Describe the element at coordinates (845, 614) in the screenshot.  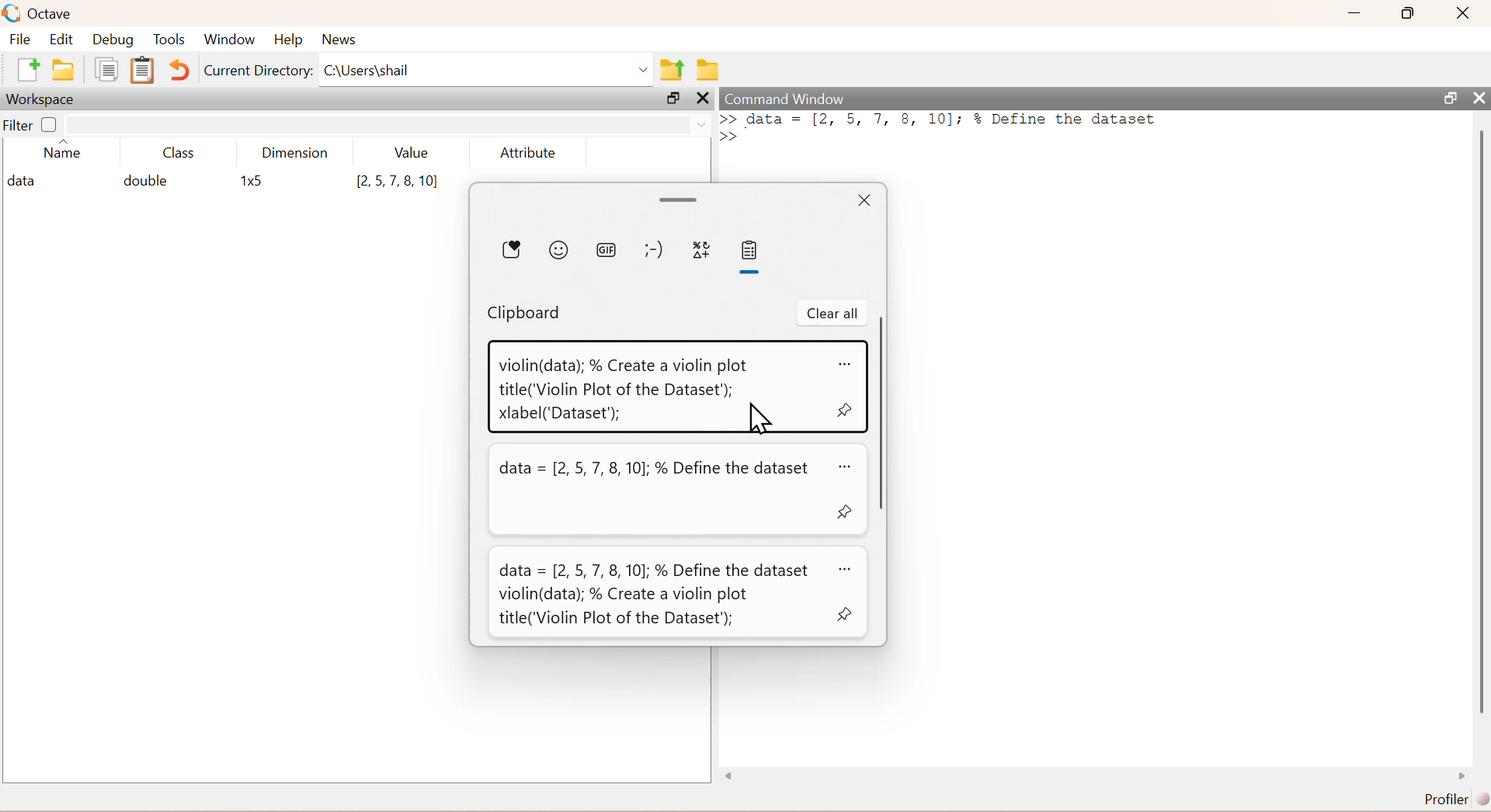
I see `pin` at that location.